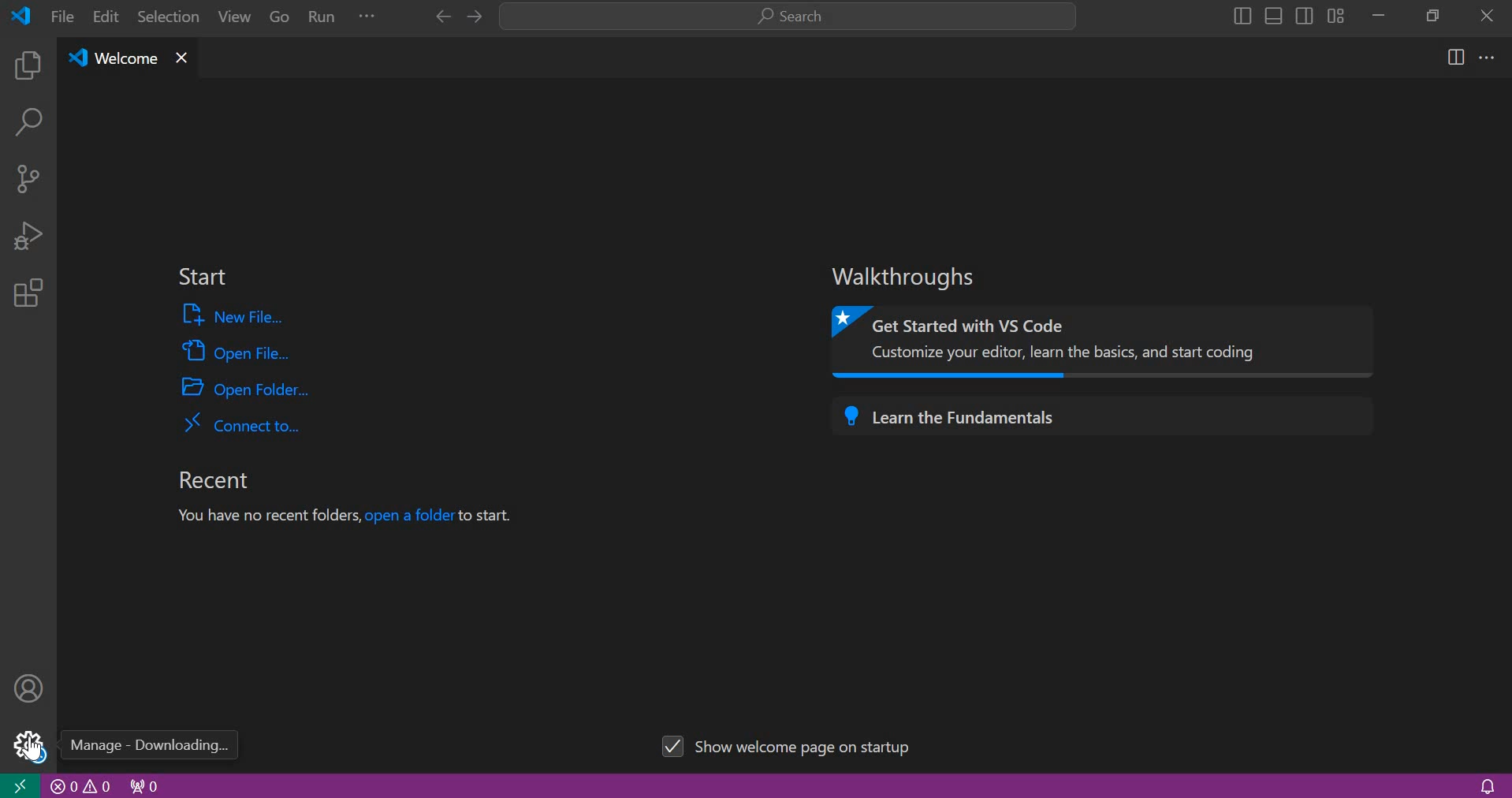 This screenshot has width=1512, height=798. I want to click on view, so click(230, 20).